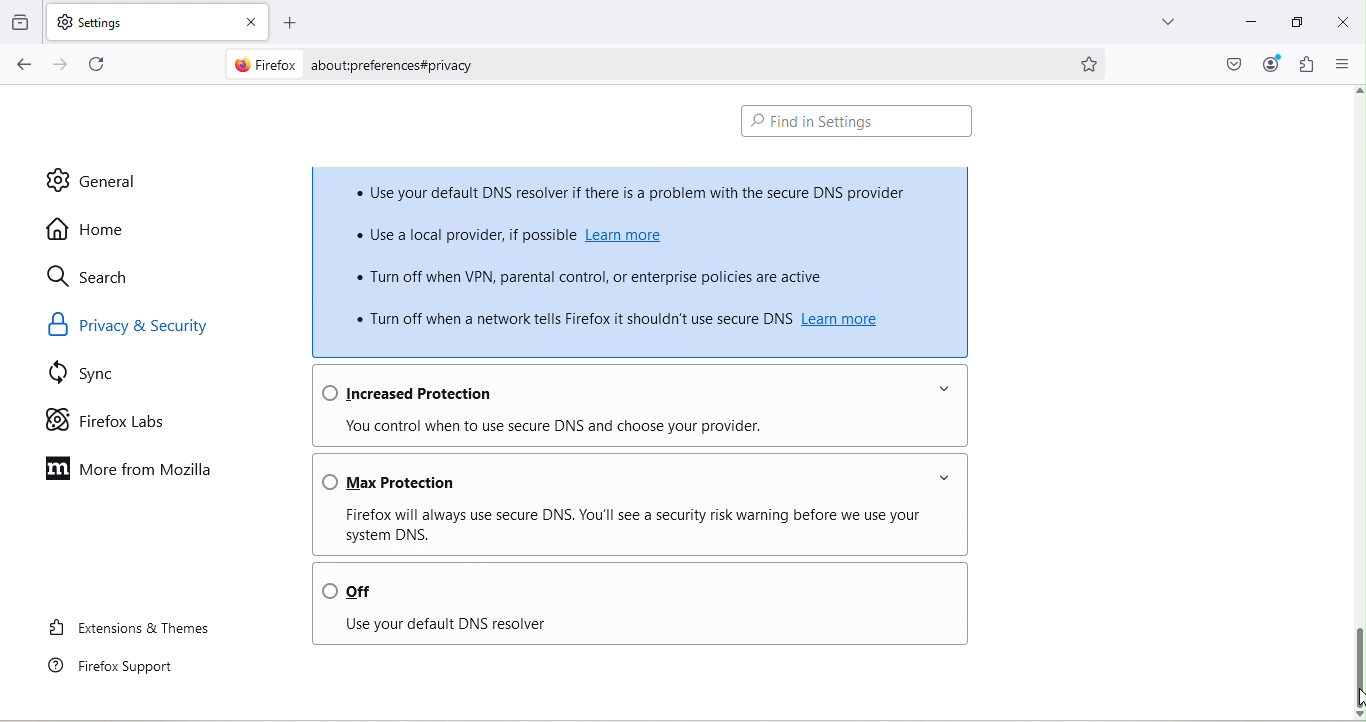 The image size is (1366, 722). I want to click on * Use your default DNS resolver if there is a problem with the secure DNS provider, so click(634, 191).